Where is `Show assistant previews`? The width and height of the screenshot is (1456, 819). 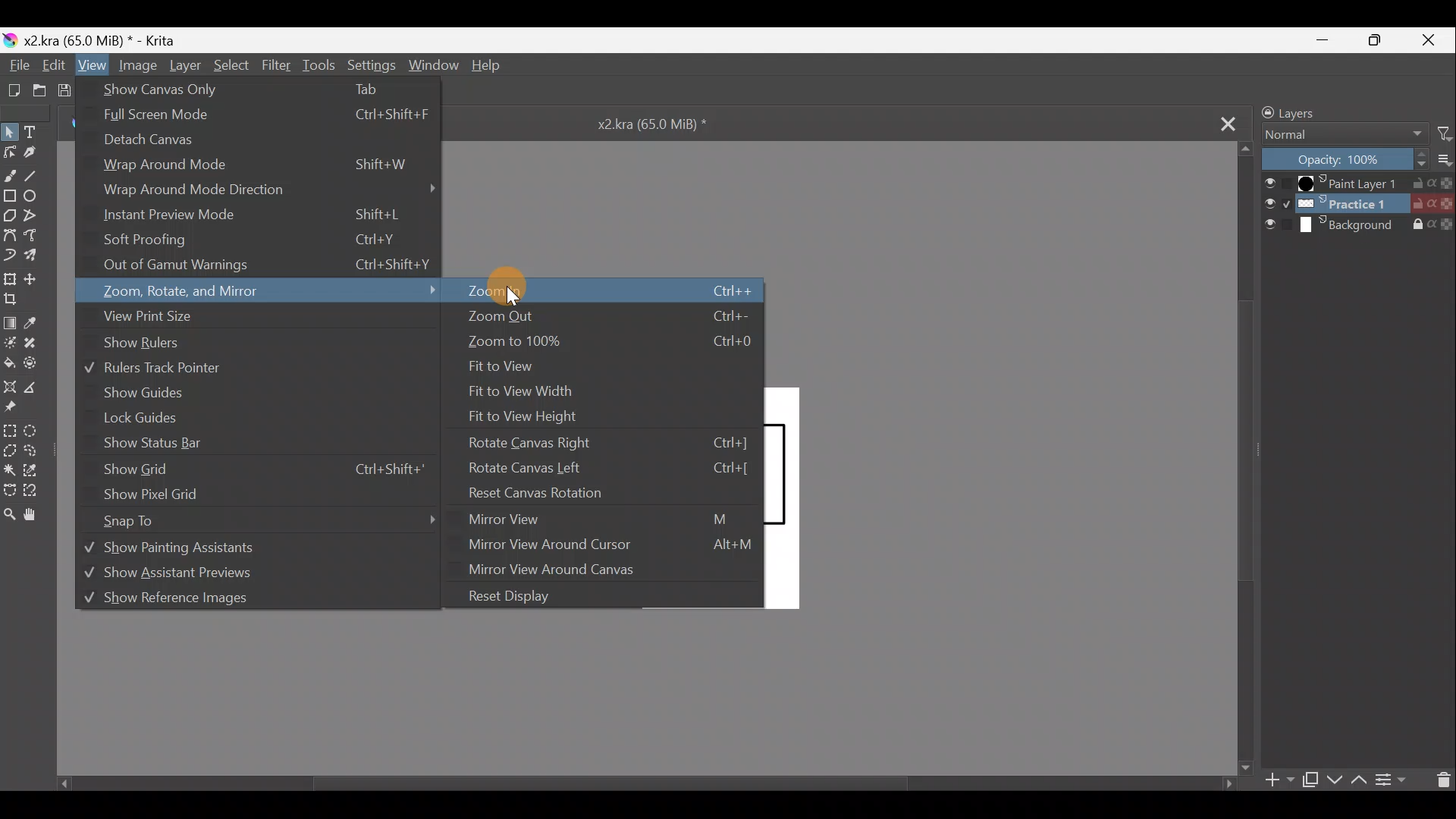 Show assistant previews is located at coordinates (218, 572).